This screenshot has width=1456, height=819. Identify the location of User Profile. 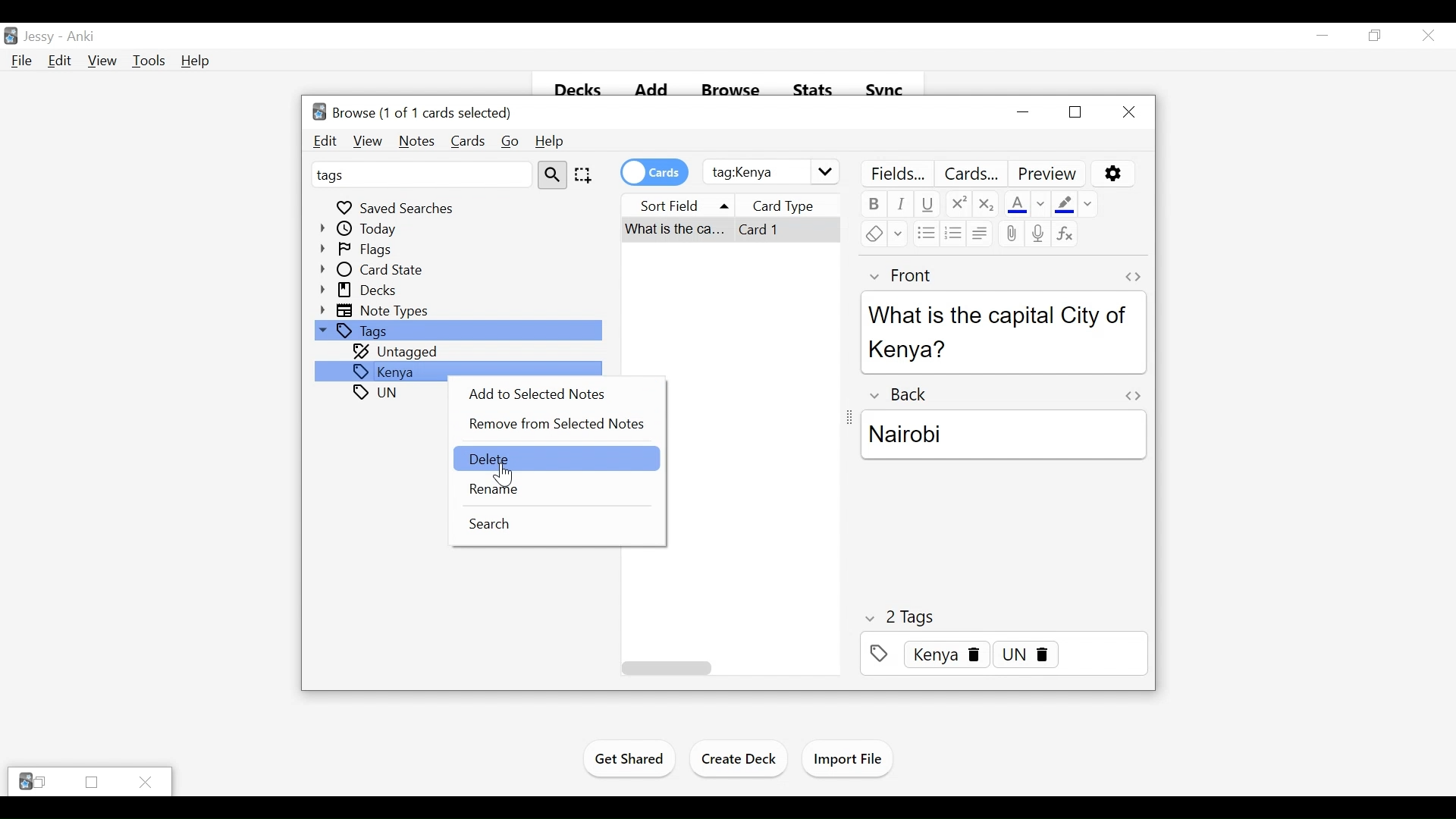
(39, 38).